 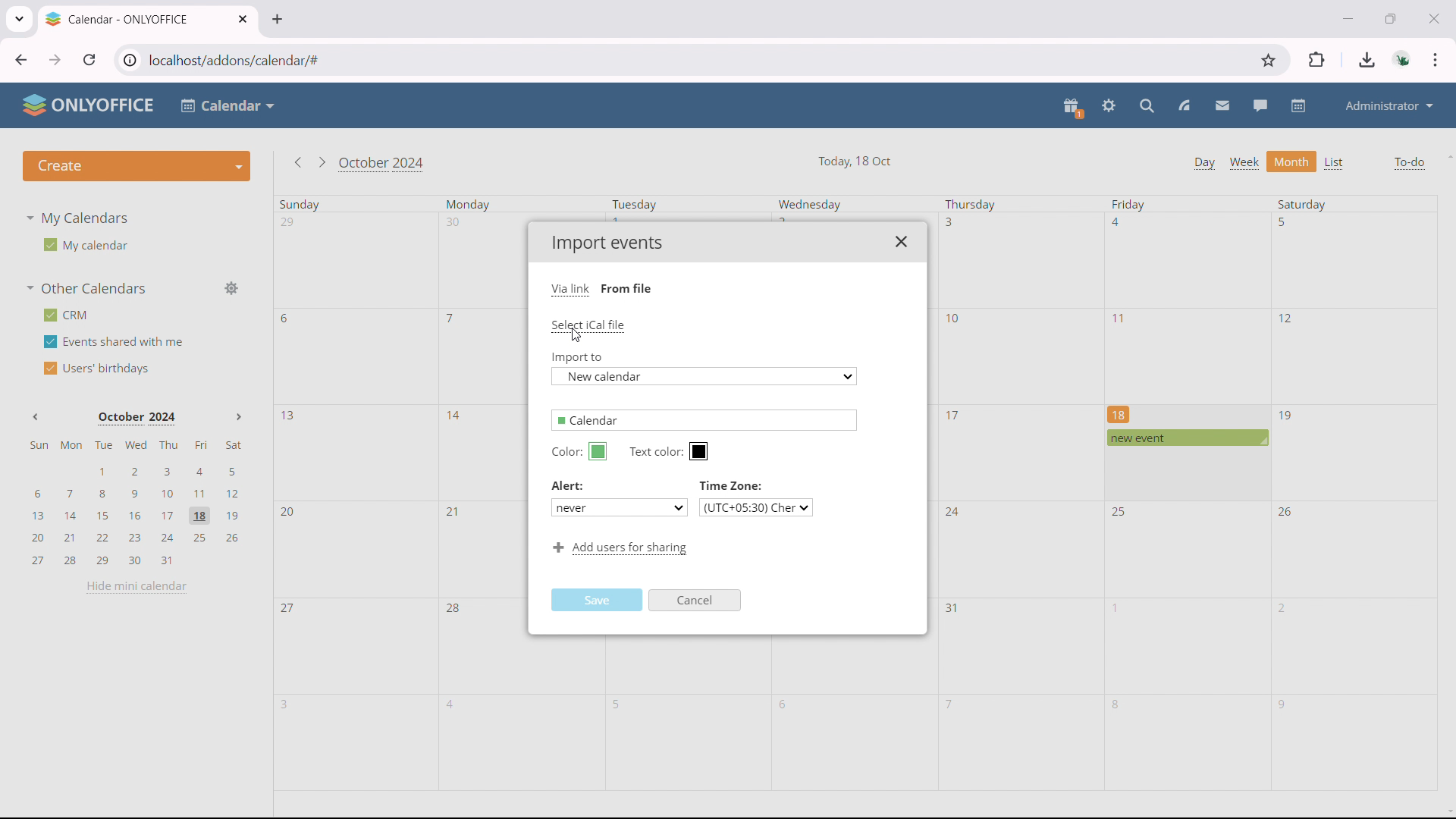 What do you see at coordinates (572, 289) in the screenshot?
I see `Via link` at bounding box center [572, 289].